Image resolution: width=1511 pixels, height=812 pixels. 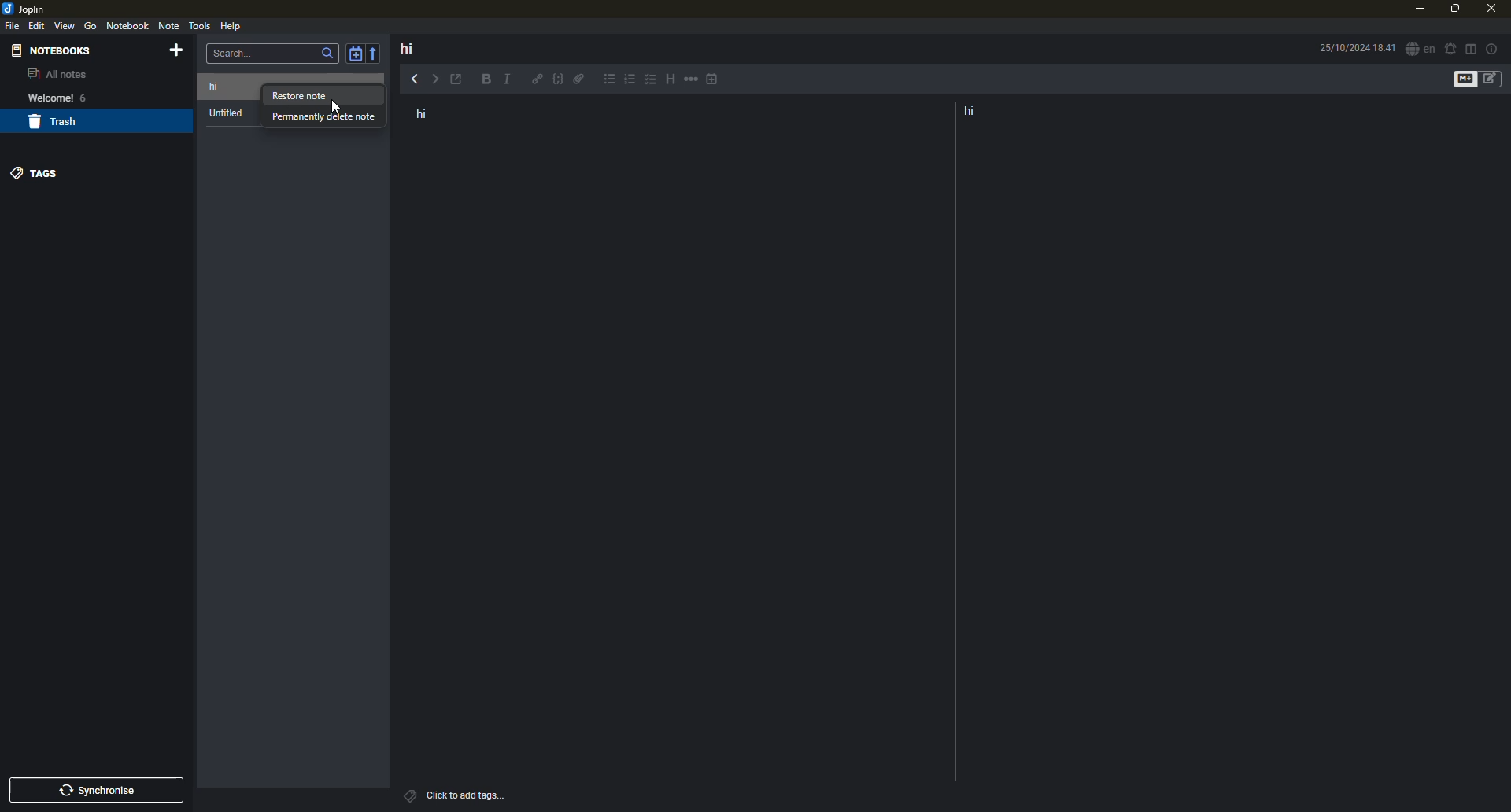 I want to click on tags, so click(x=38, y=172).